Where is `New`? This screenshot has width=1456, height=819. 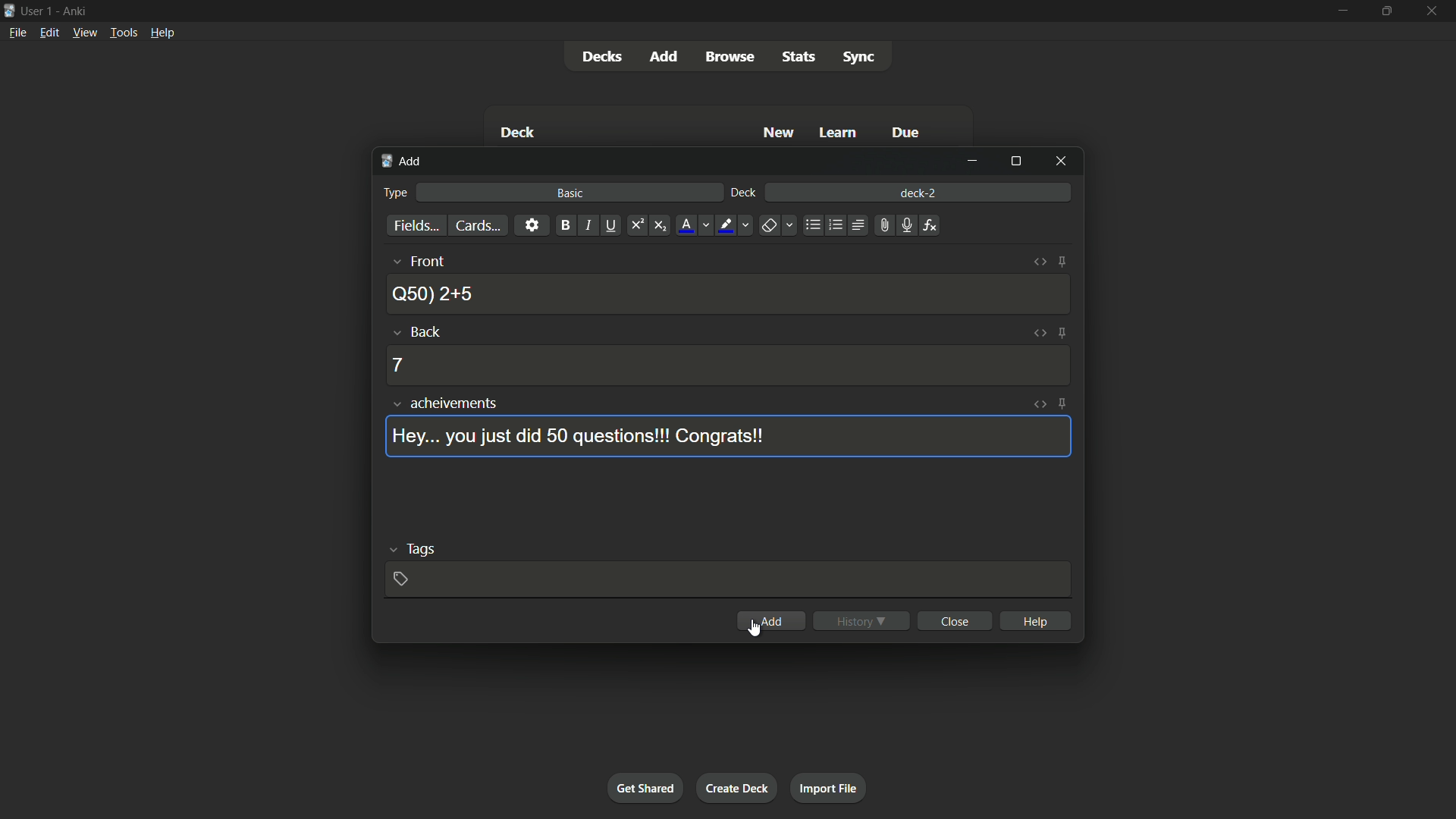
New is located at coordinates (777, 133).